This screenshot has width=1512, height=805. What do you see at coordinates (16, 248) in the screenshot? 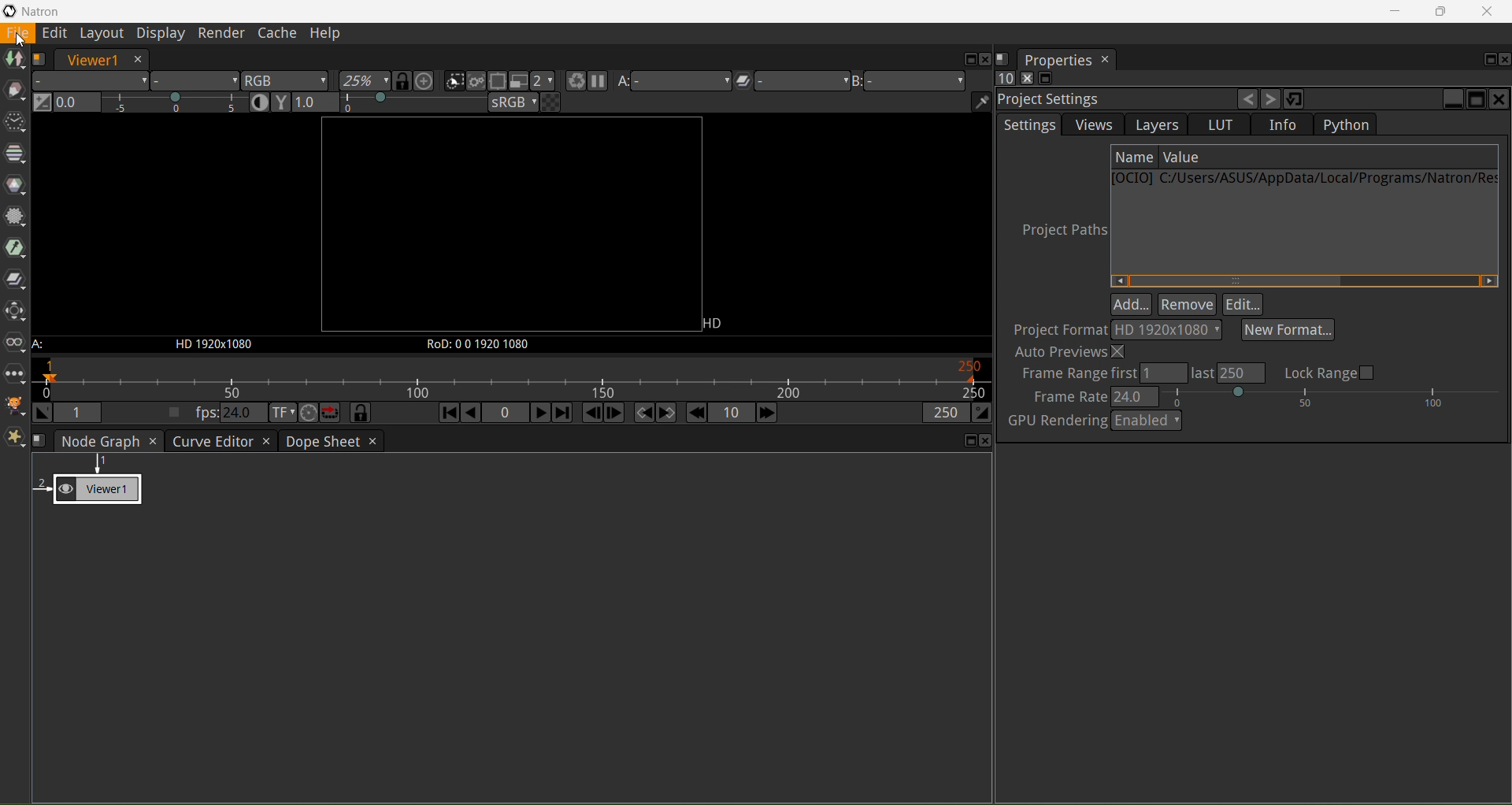
I see `Keyer` at bounding box center [16, 248].